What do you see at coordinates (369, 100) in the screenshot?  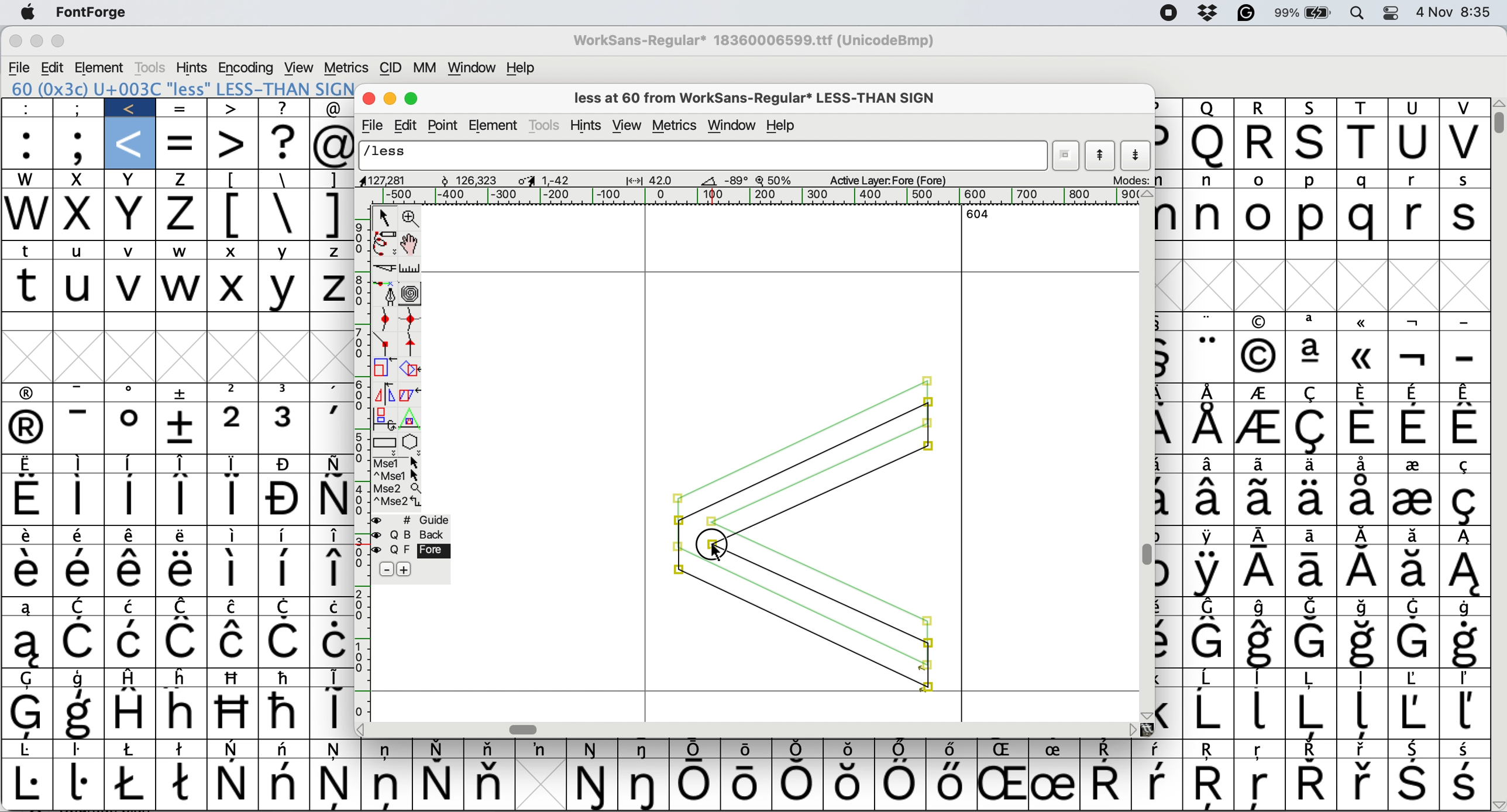 I see `close` at bounding box center [369, 100].